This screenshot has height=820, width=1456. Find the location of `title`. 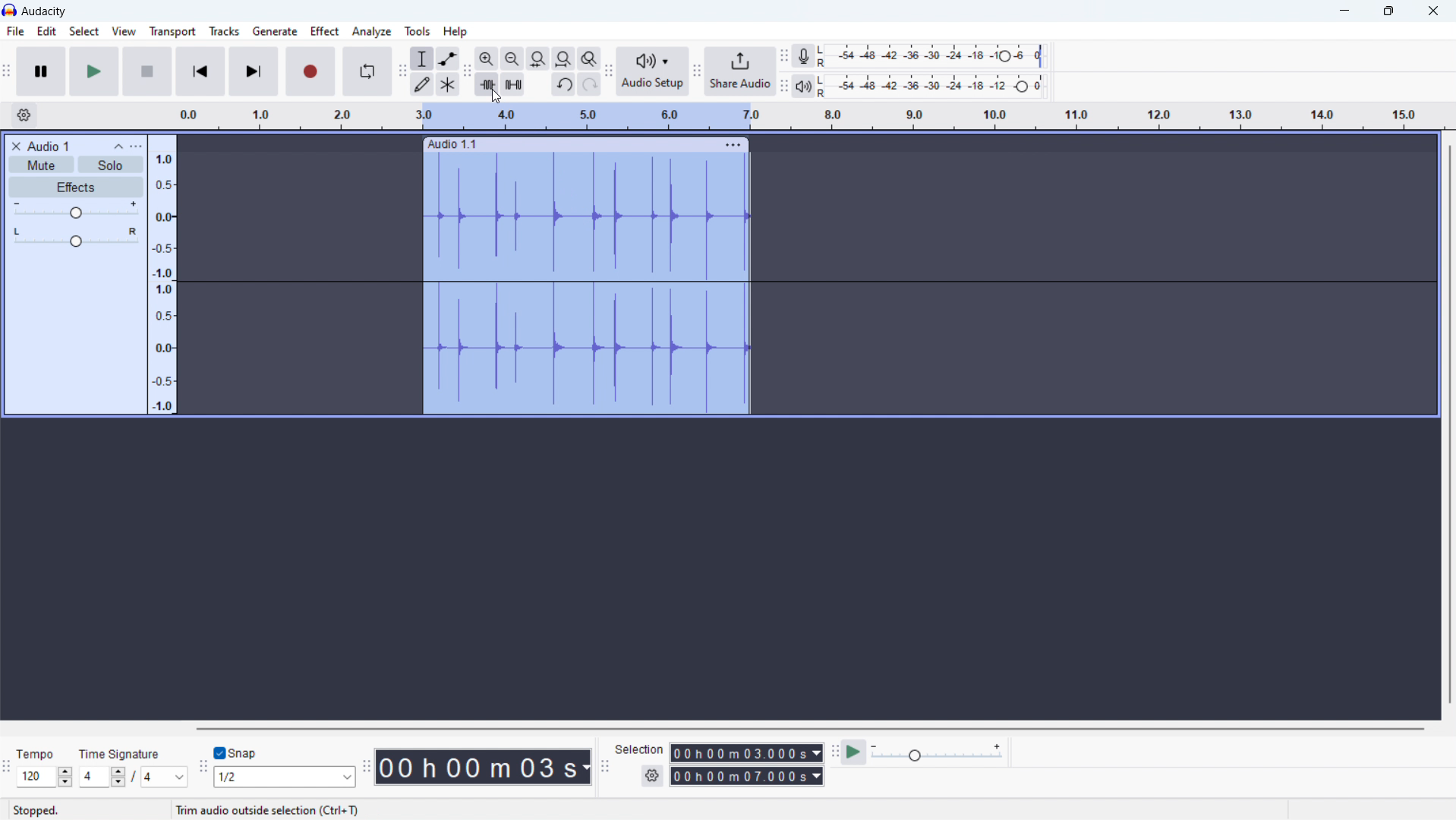

title is located at coordinates (43, 11).